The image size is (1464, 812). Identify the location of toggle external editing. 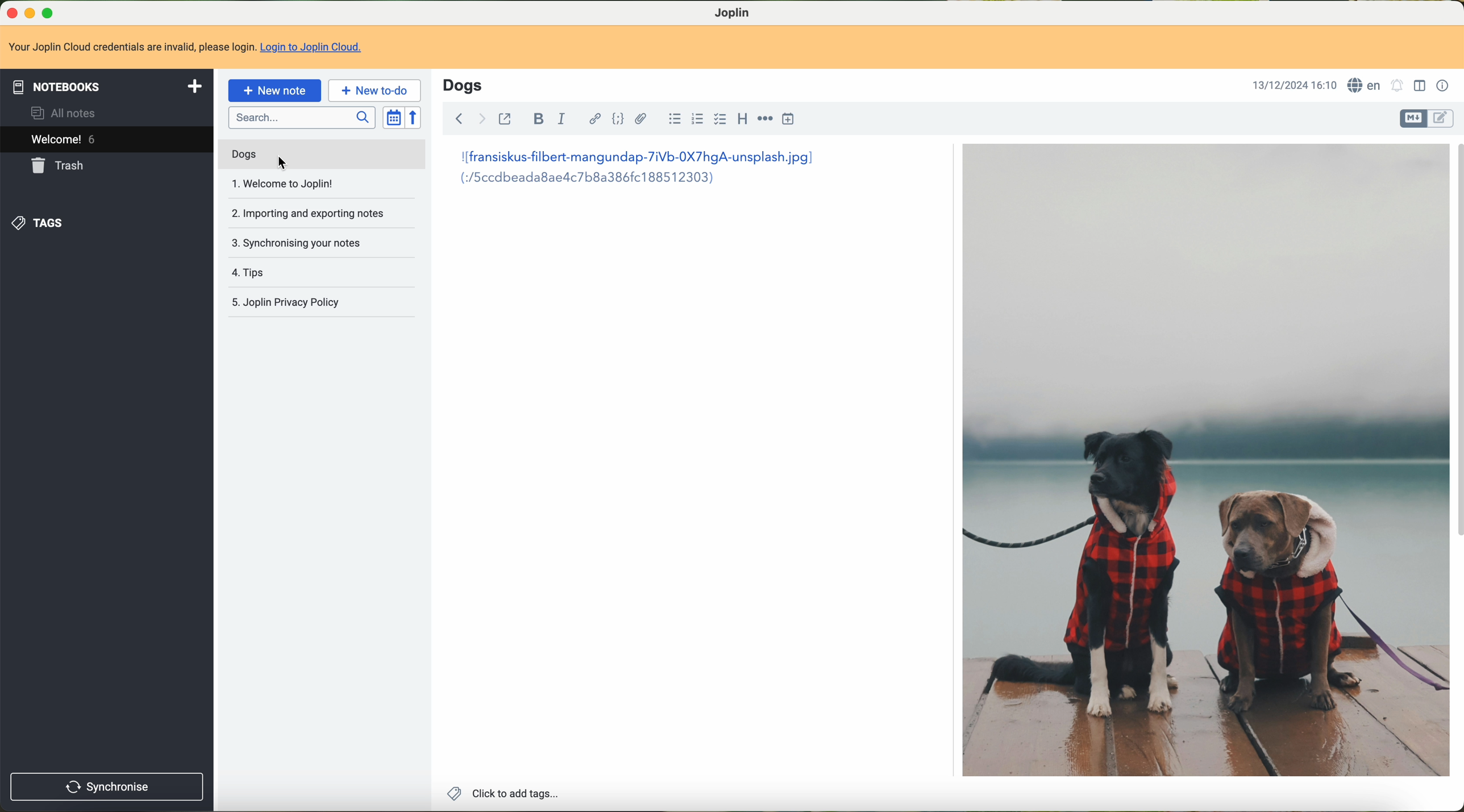
(506, 118).